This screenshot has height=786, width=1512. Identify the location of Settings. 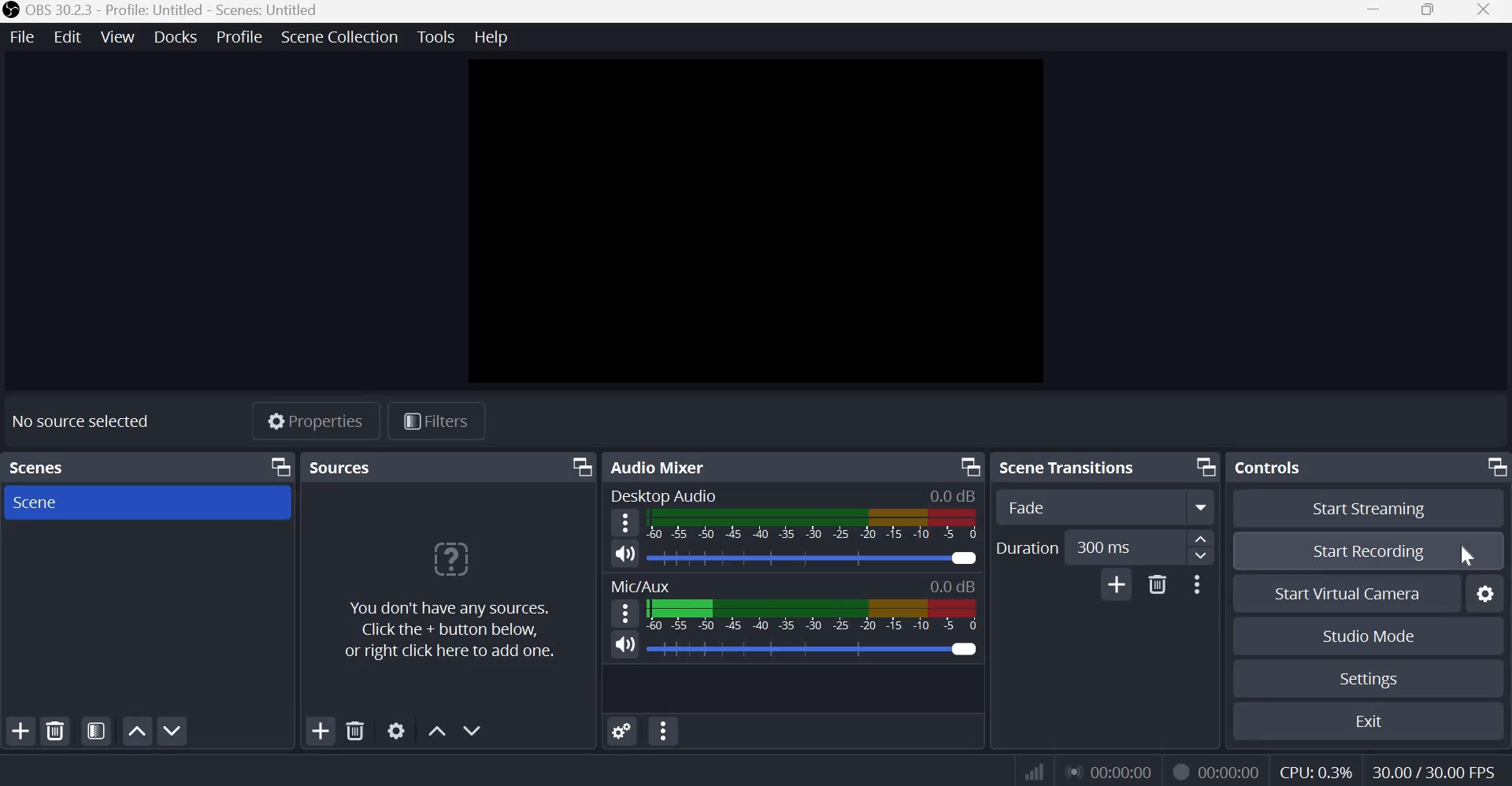
(1364, 680).